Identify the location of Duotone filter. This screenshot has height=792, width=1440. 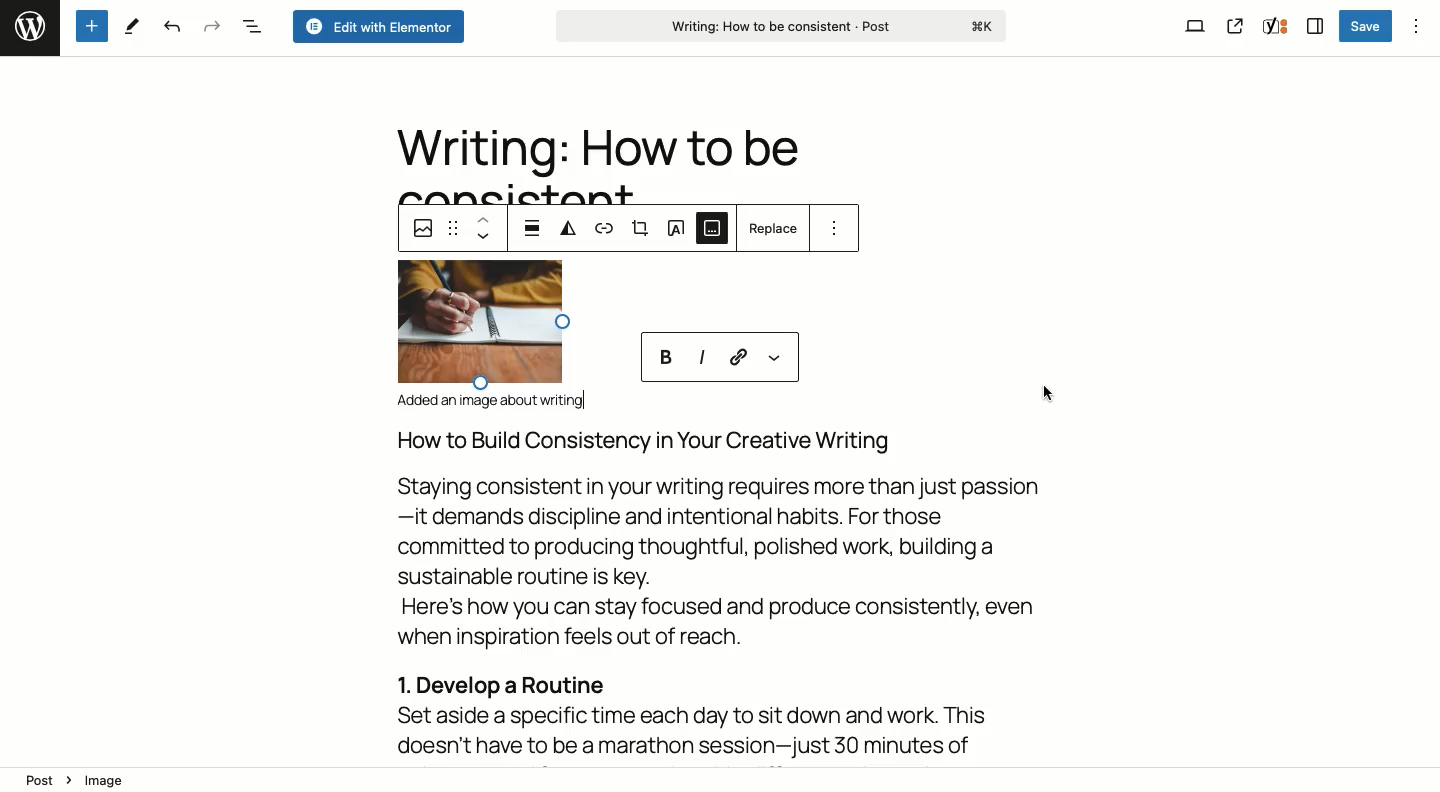
(570, 229).